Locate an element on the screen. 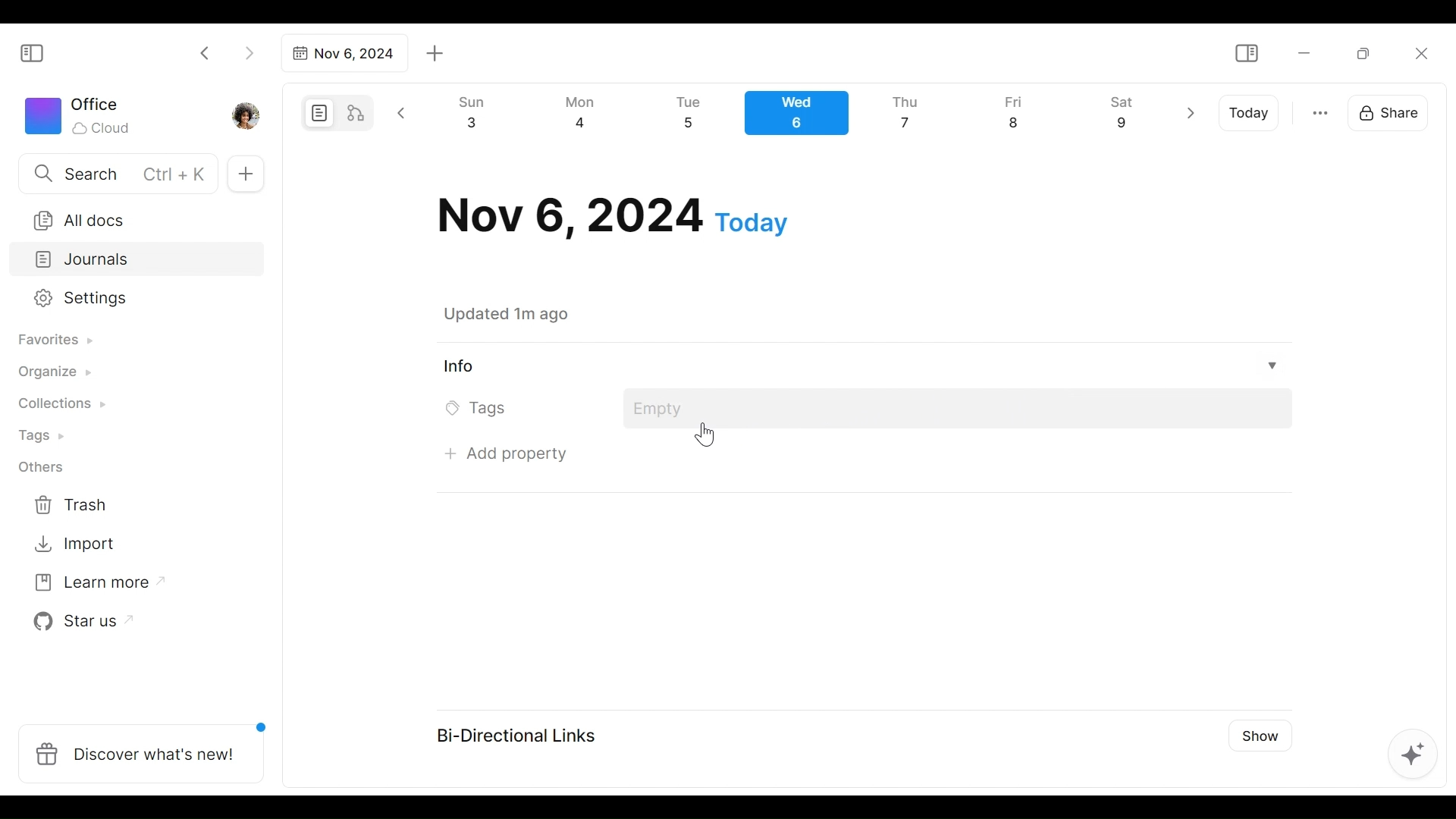 The height and width of the screenshot is (819, 1456). Others is located at coordinates (42, 467).